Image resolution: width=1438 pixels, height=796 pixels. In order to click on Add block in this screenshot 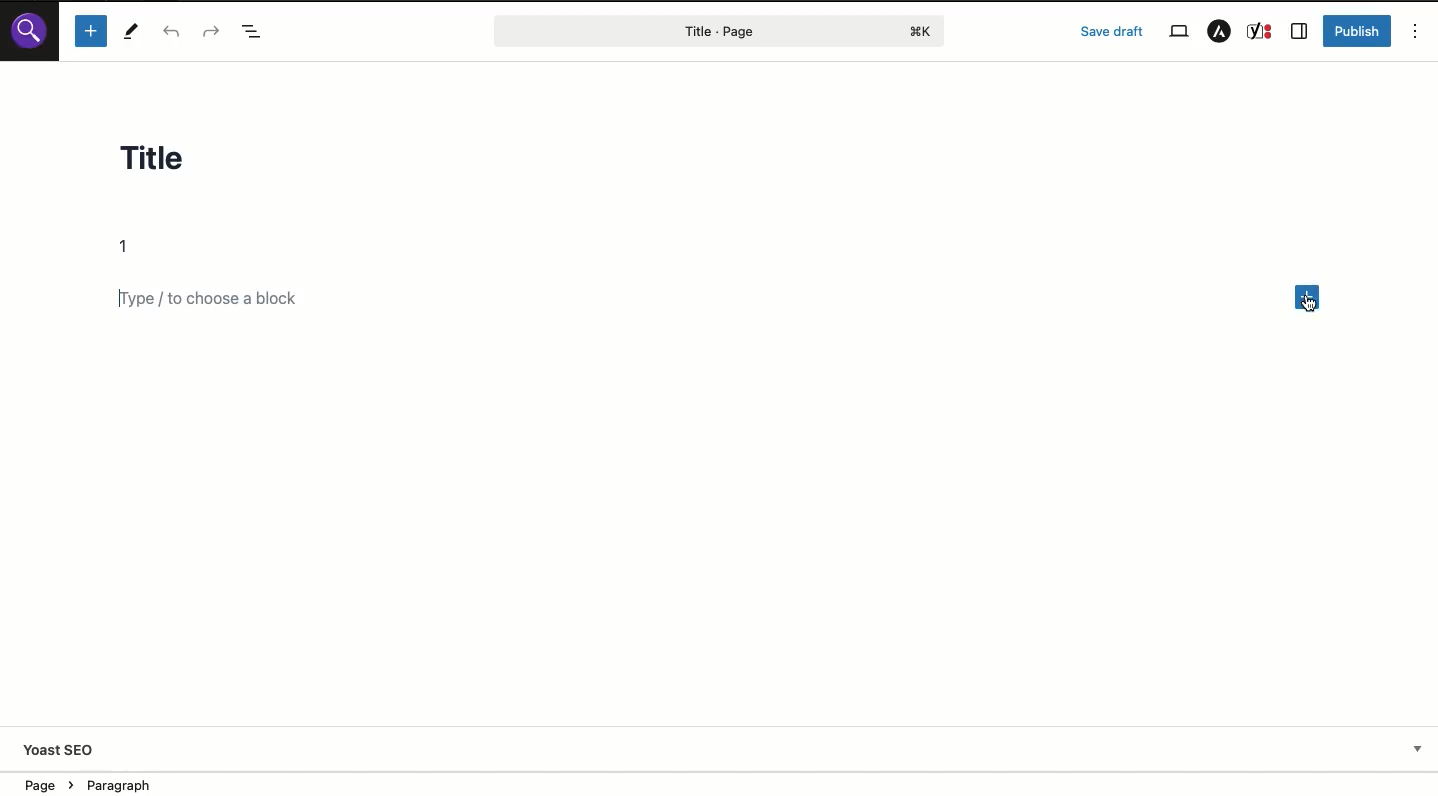, I will do `click(226, 300)`.